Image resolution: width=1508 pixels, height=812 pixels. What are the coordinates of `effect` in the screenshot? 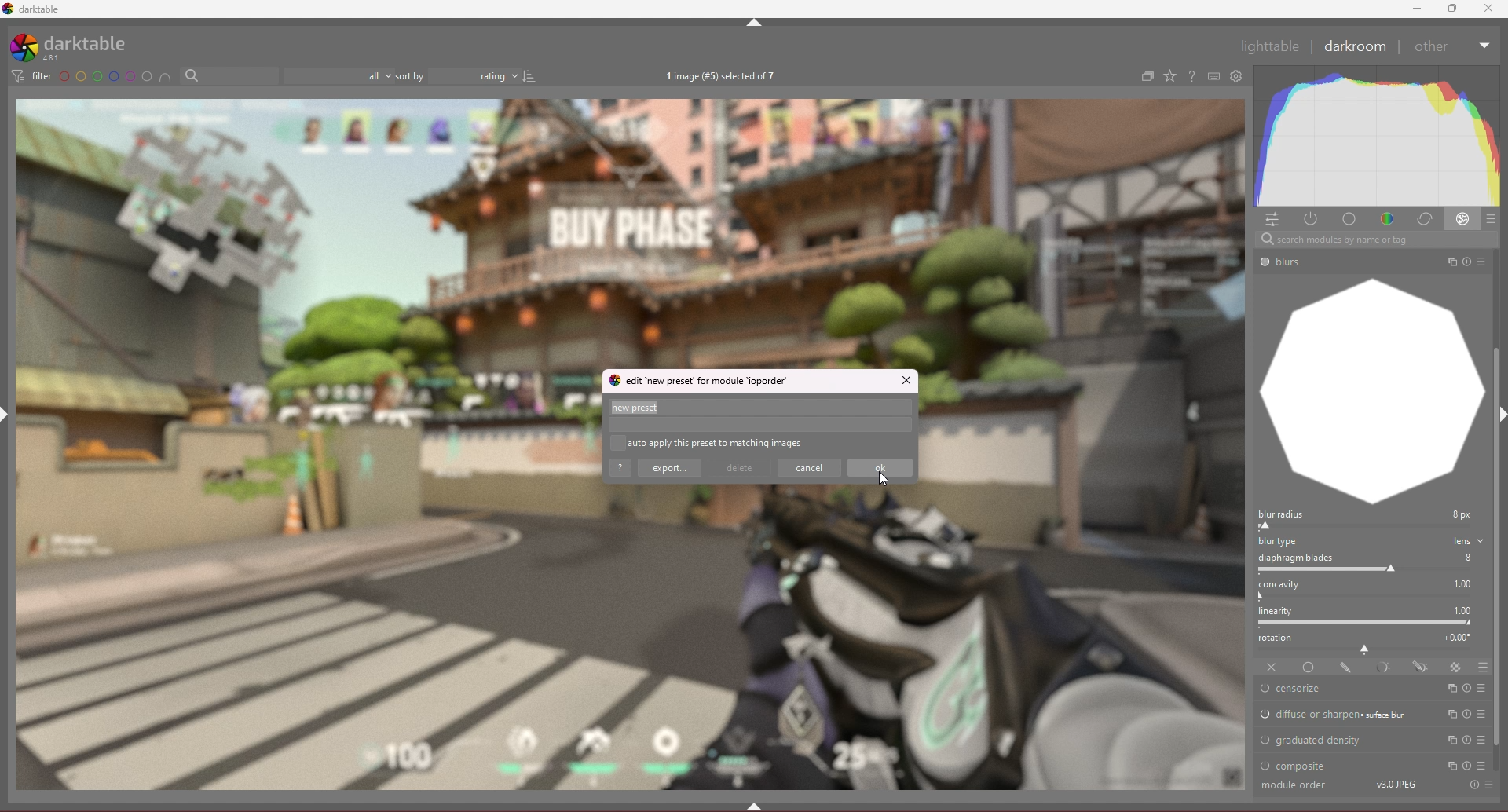 It's located at (1463, 218).